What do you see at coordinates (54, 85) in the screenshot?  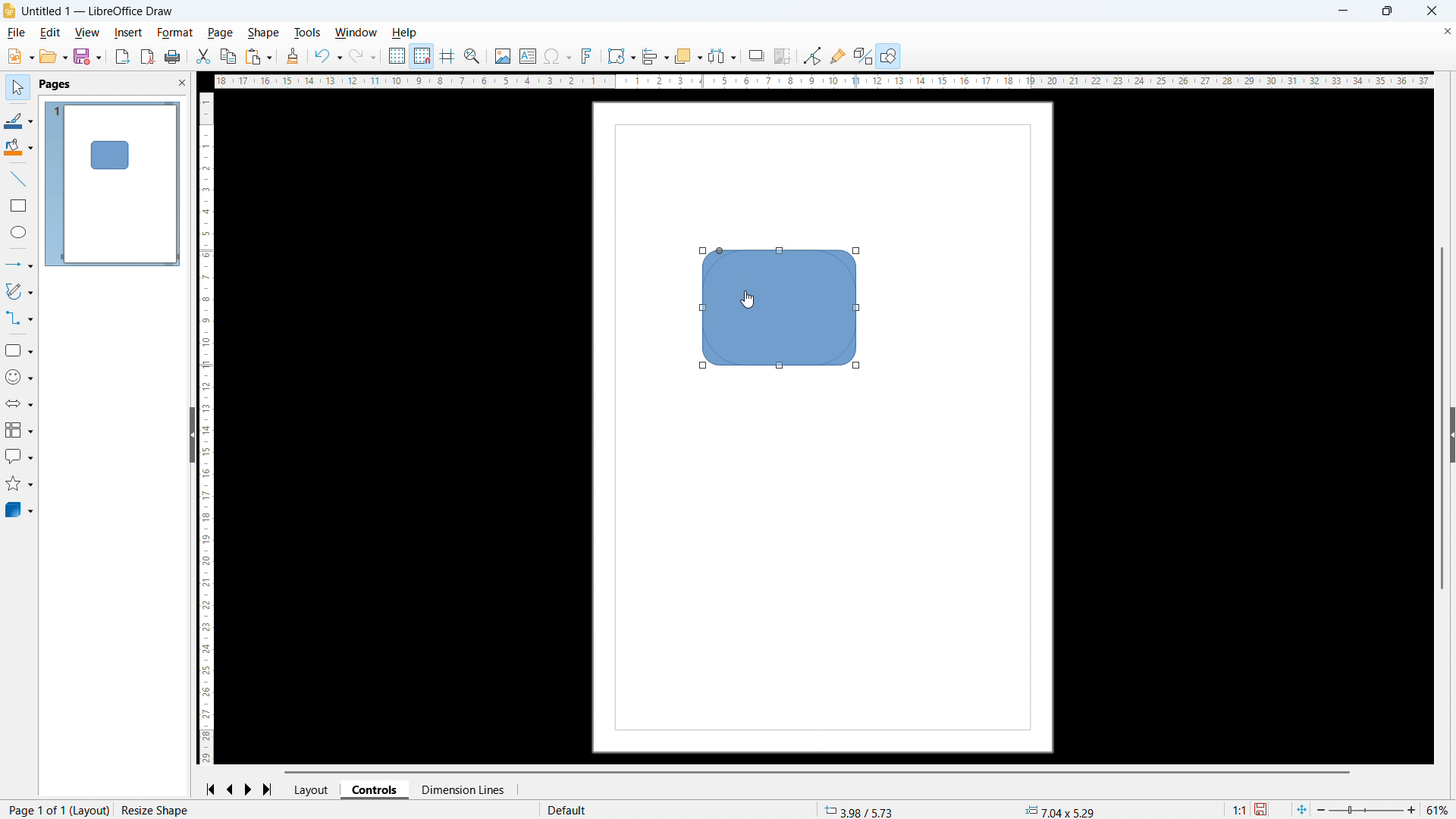 I see `pages ` at bounding box center [54, 85].